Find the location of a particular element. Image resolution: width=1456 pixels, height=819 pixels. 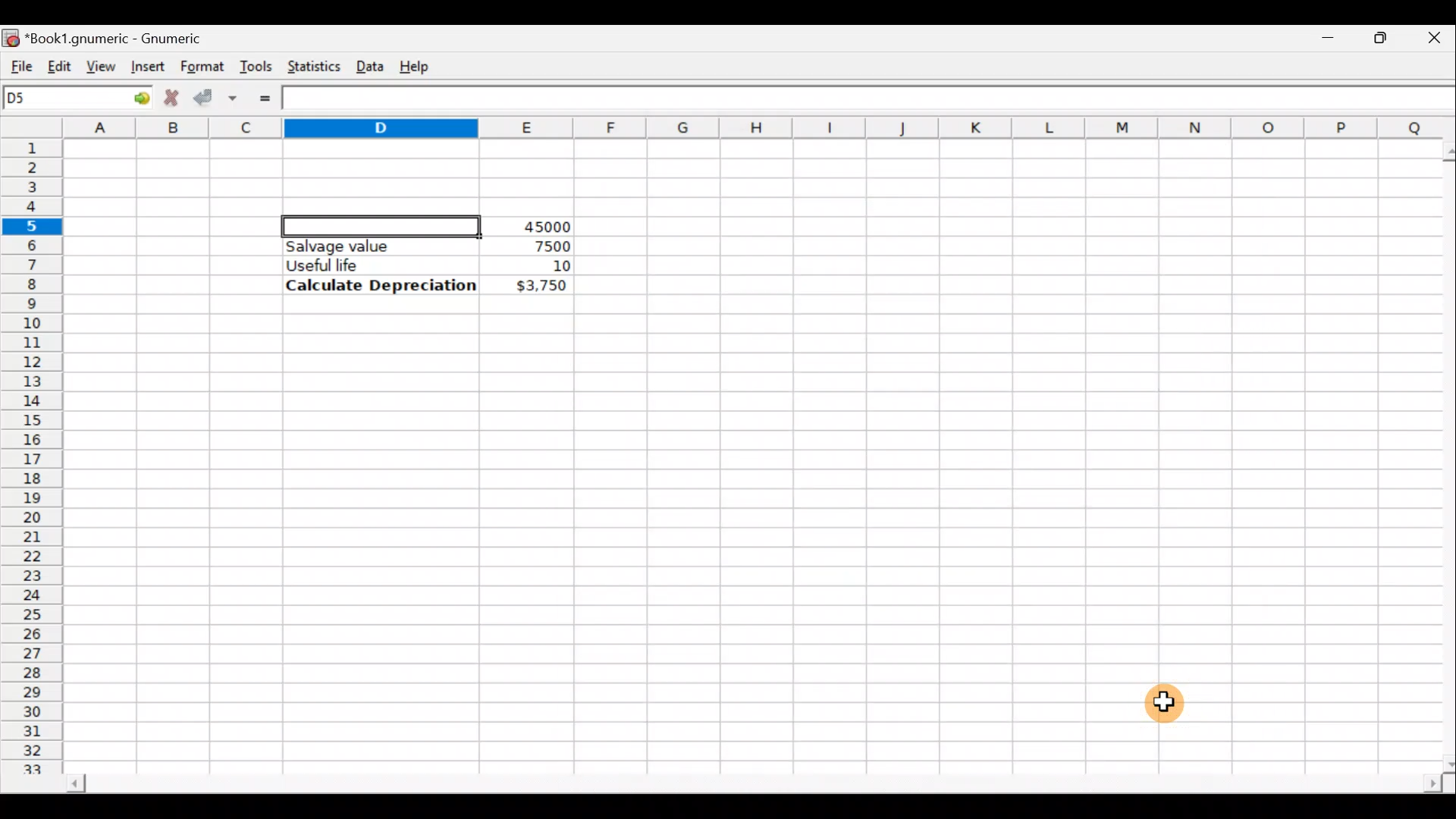

File is located at coordinates (17, 63).